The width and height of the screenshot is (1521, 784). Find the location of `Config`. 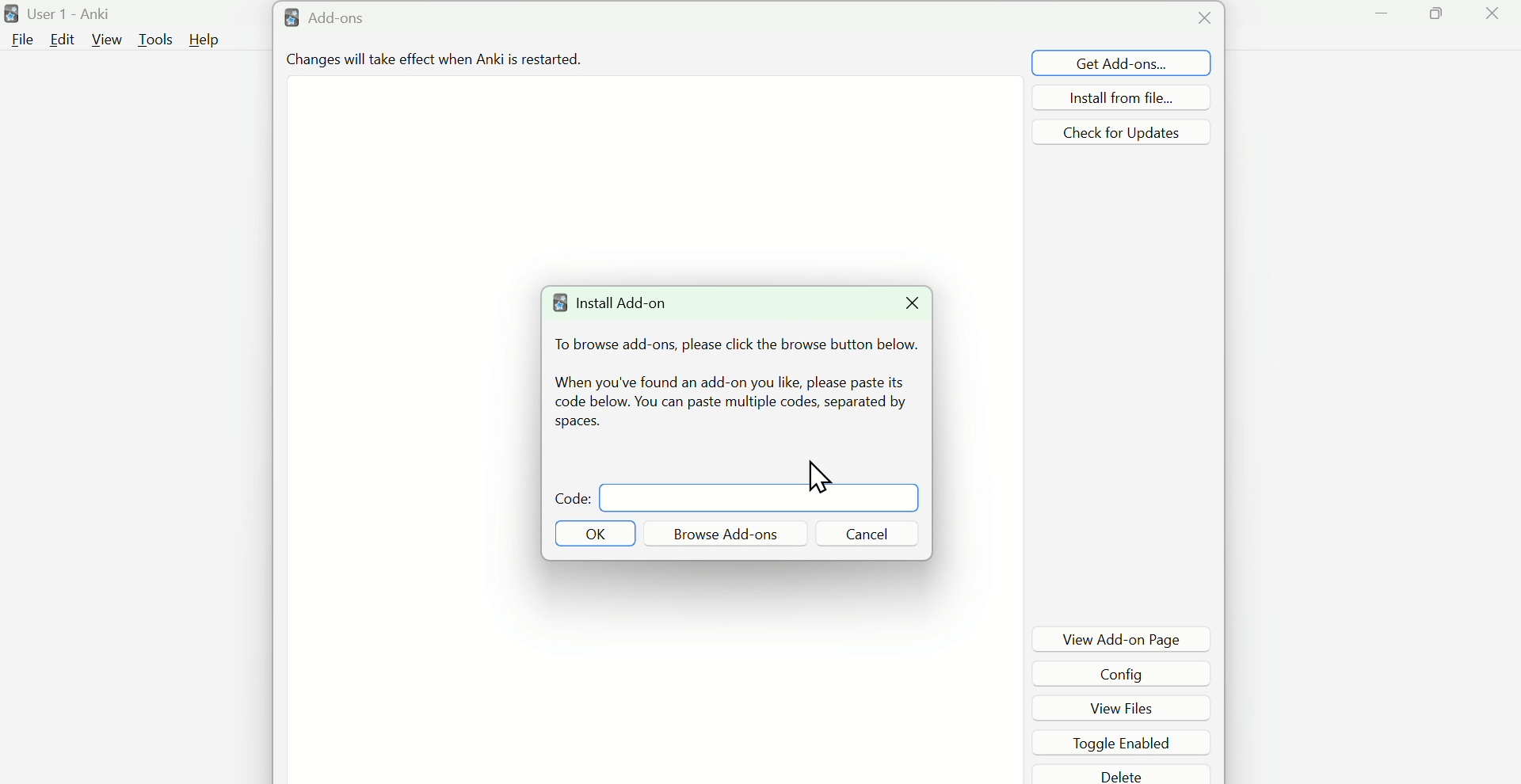

Config is located at coordinates (1127, 673).